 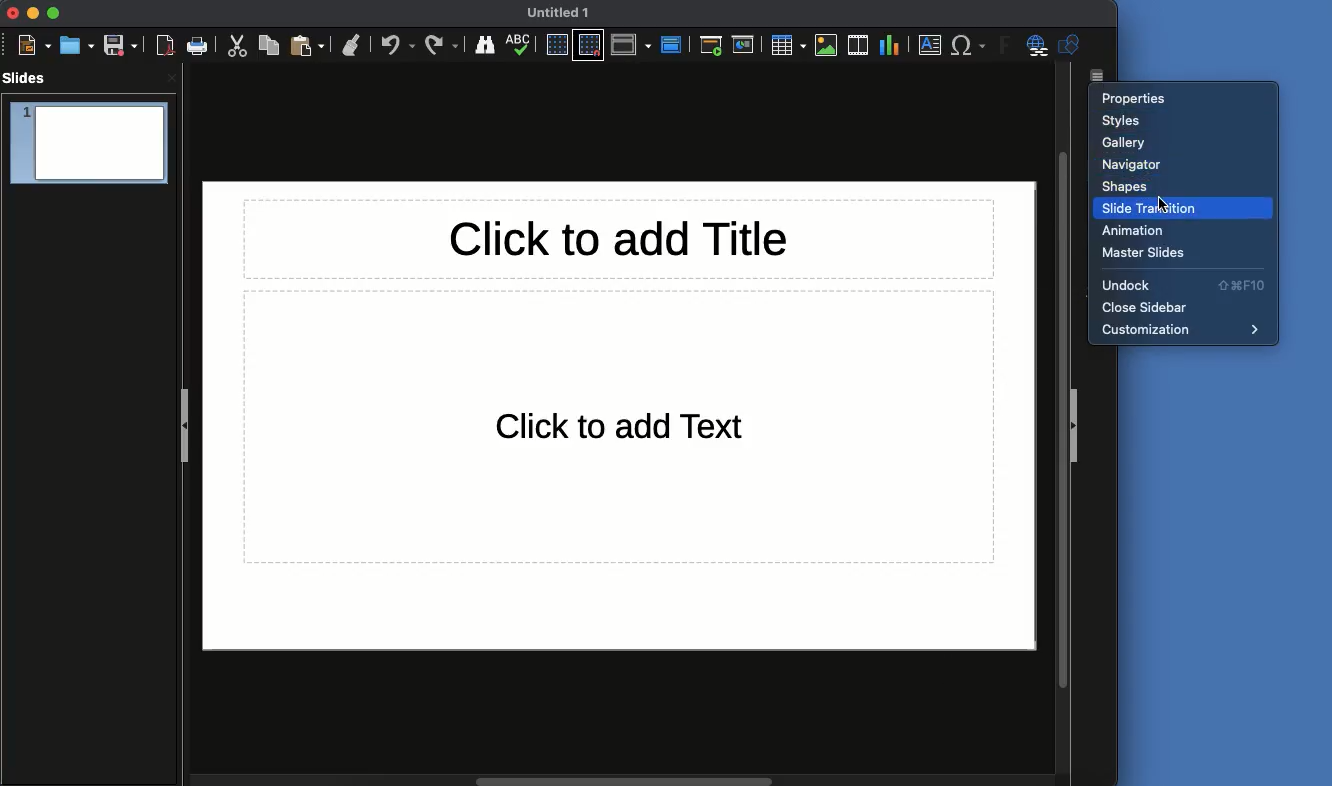 I want to click on Slide 1, so click(x=89, y=146).